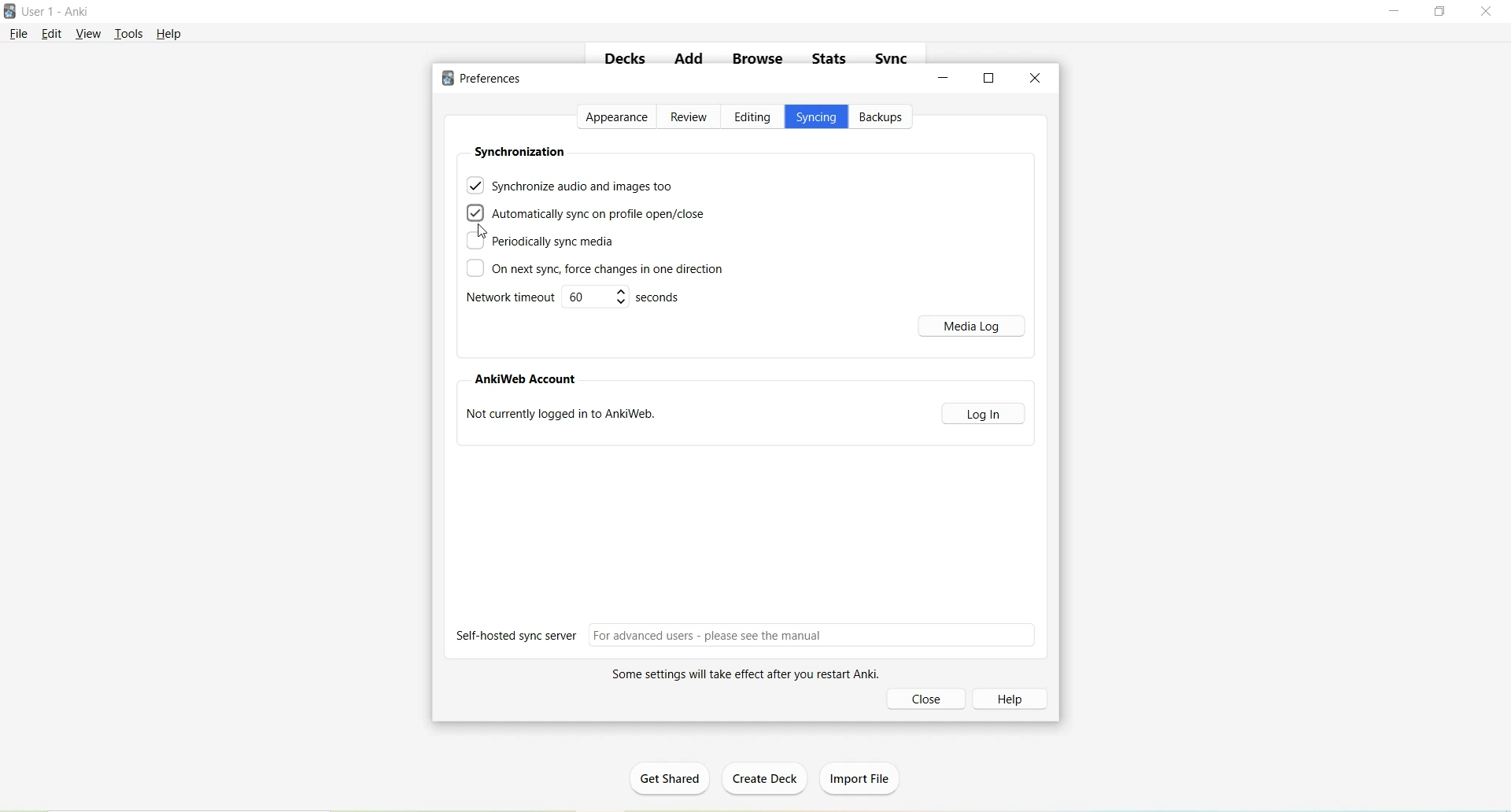  I want to click on User 1 - Anki, so click(58, 13).